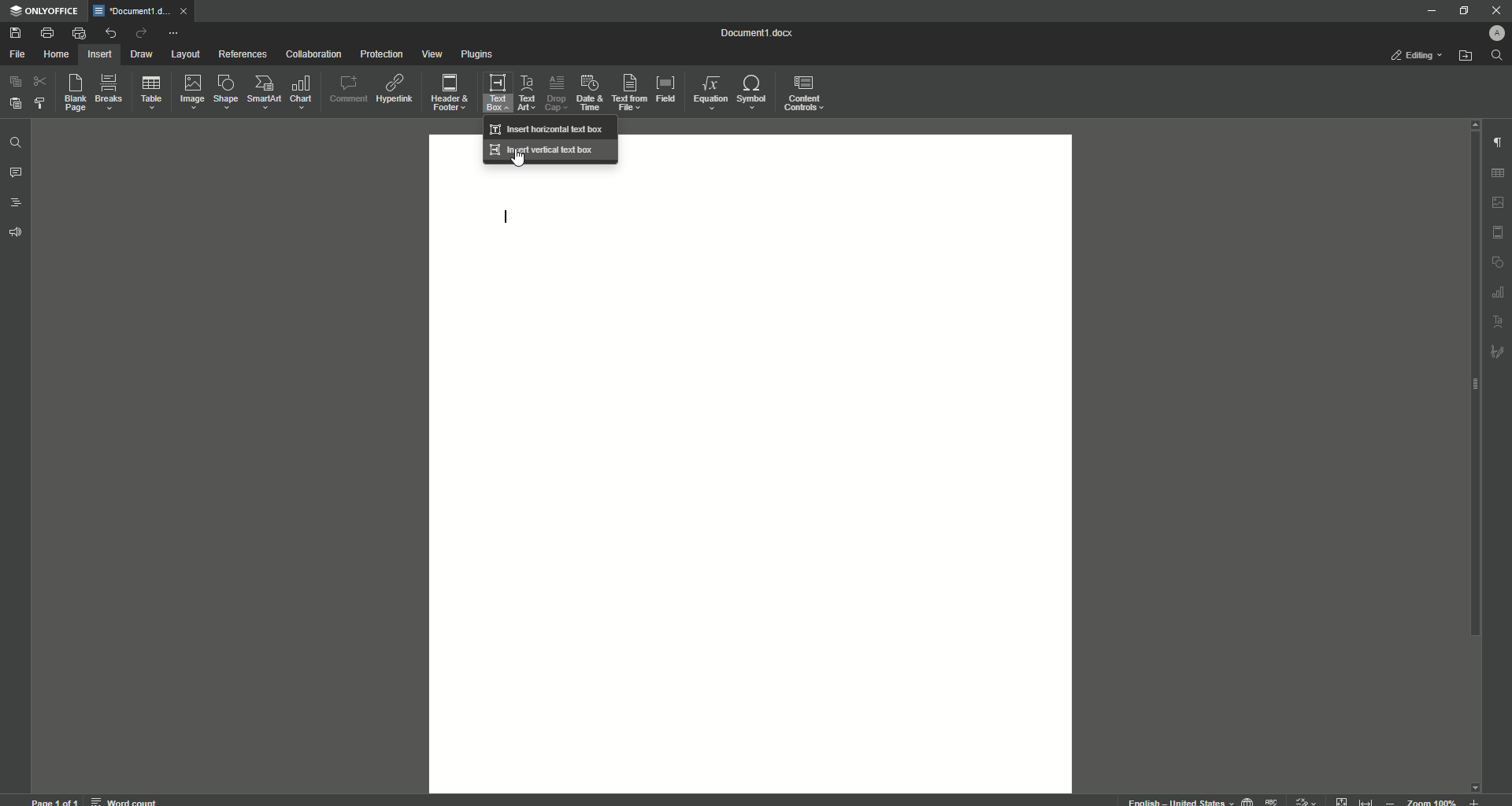  I want to click on Restore, so click(1462, 11).